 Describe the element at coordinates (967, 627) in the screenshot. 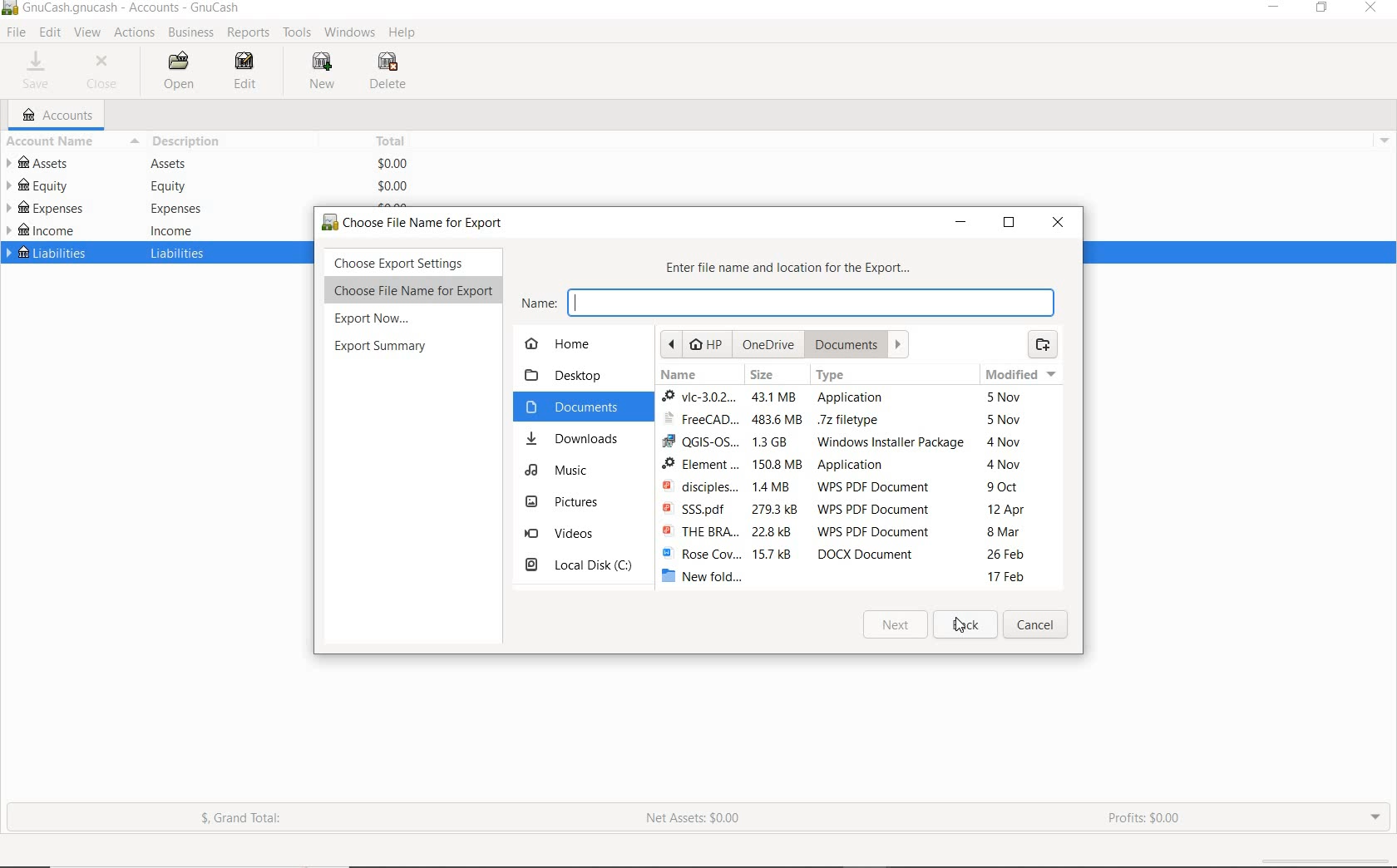

I see `back` at that location.